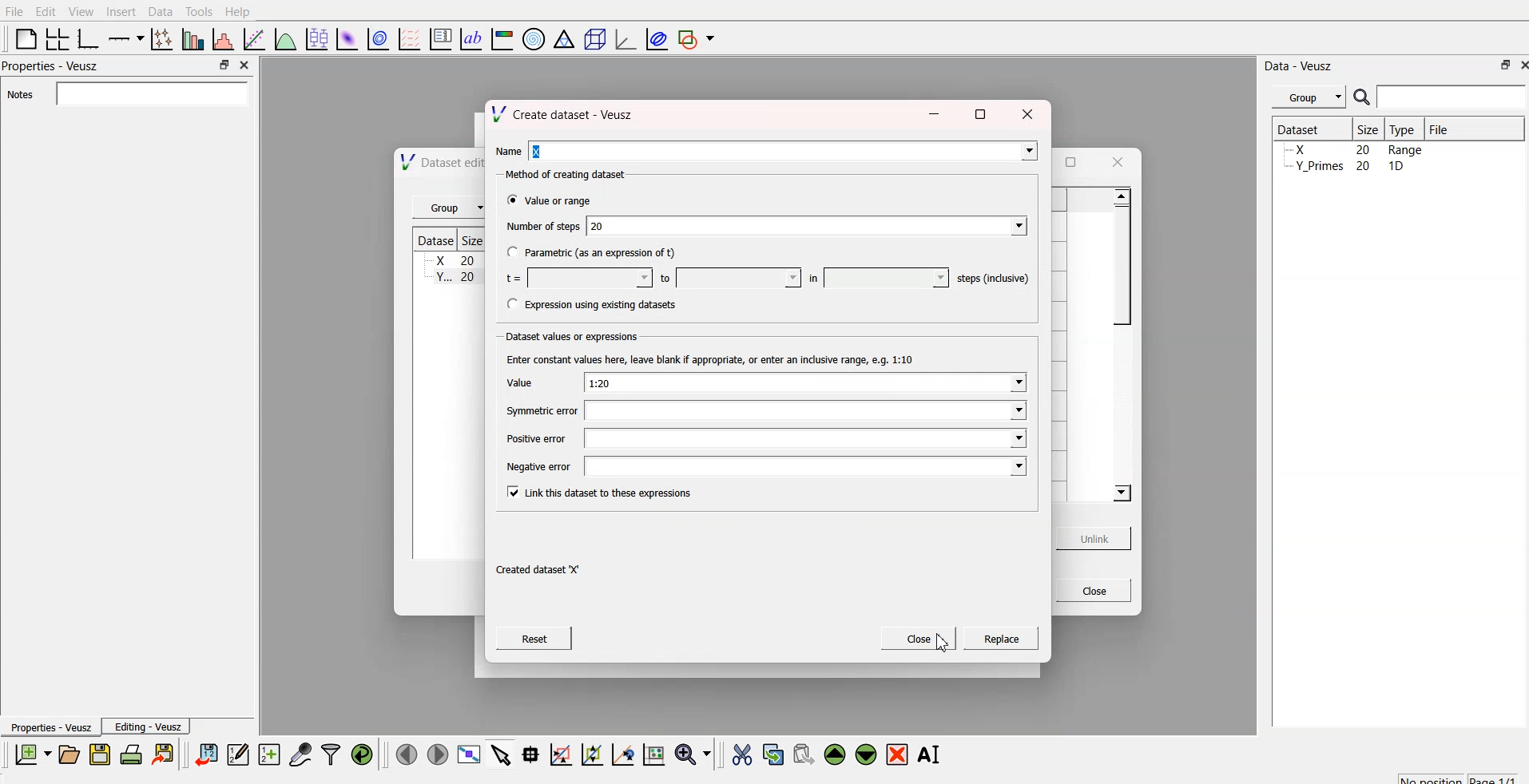 The image size is (1529, 784). What do you see at coordinates (536, 40) in the screenshot?
I see `polar graph` at bounding box center [536, 40].